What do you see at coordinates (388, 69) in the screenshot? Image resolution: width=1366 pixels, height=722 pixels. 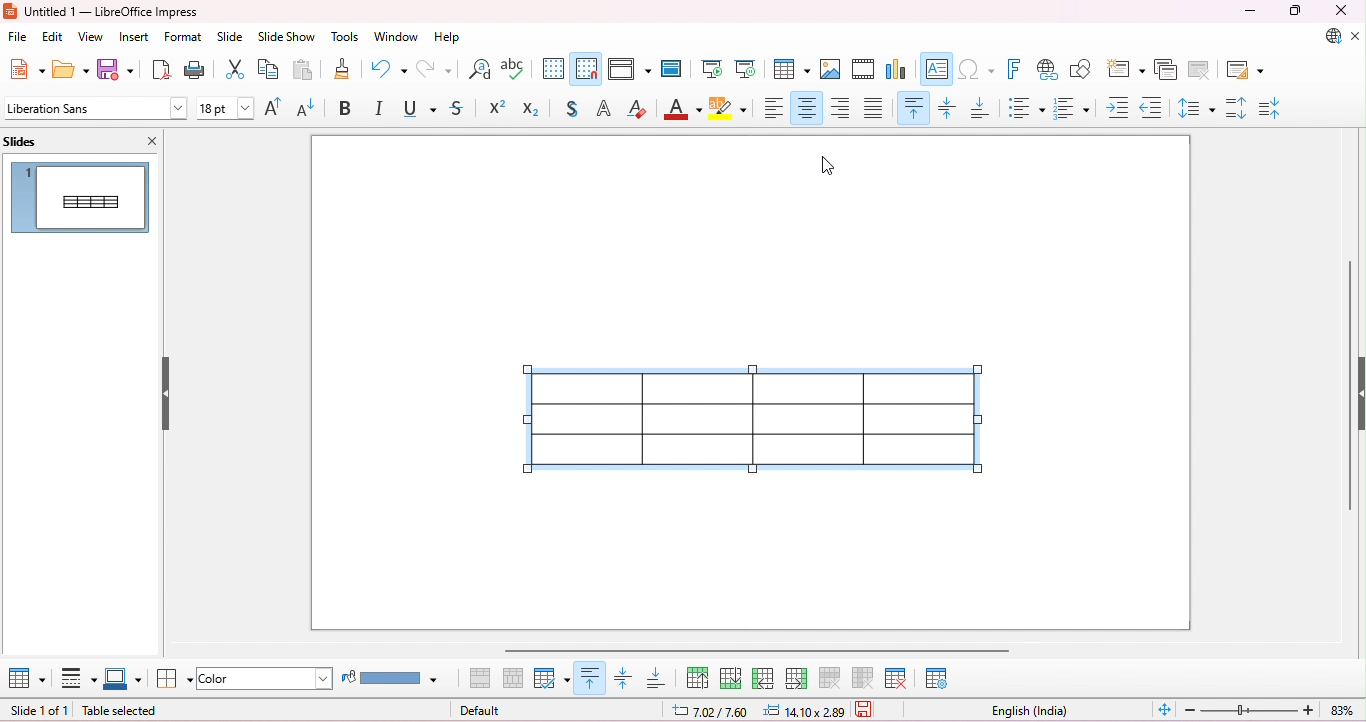 I see `undo` at bounding box center [388, 69].